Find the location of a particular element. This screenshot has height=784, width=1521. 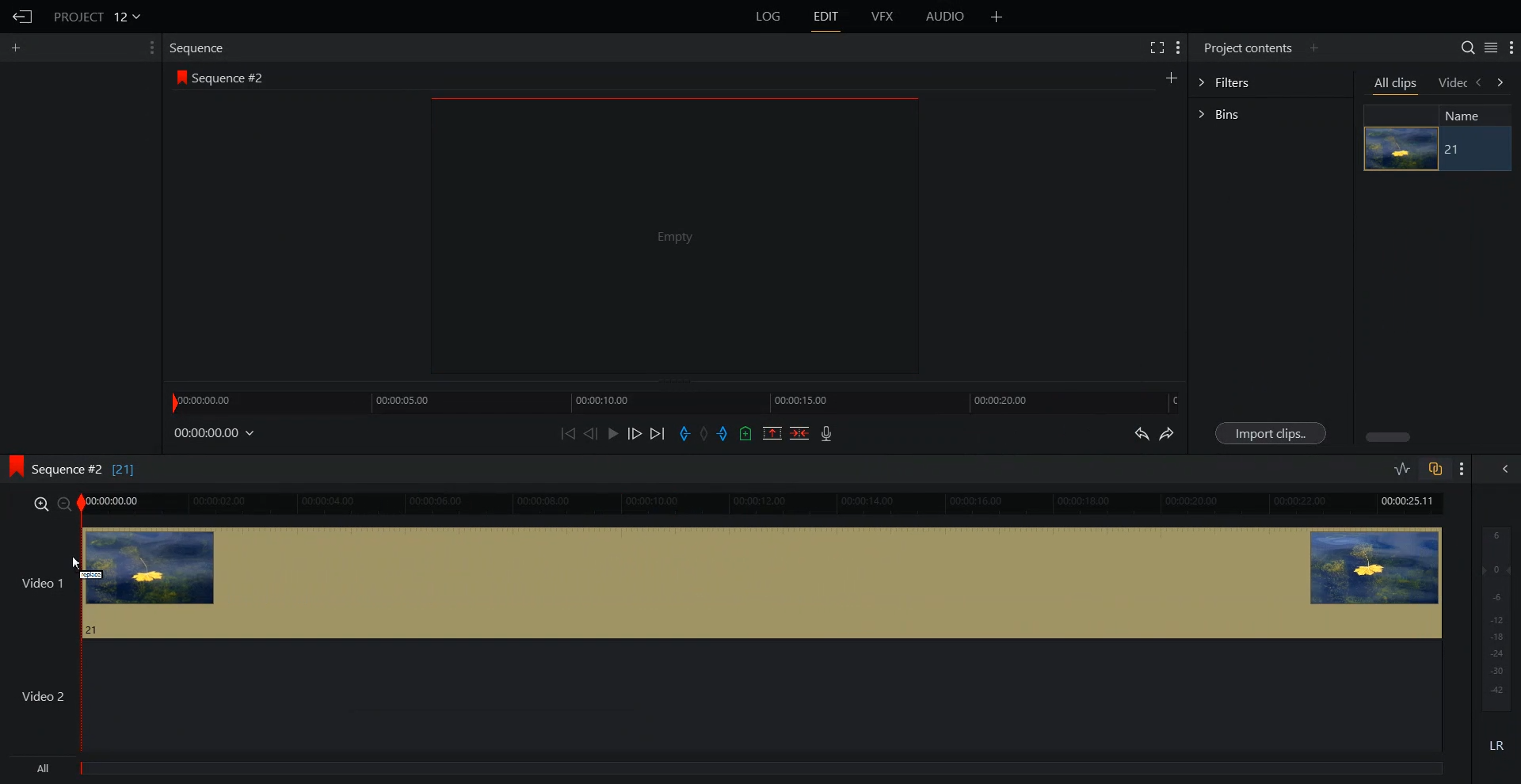

Move Forward is located at coordinates (658, 433).